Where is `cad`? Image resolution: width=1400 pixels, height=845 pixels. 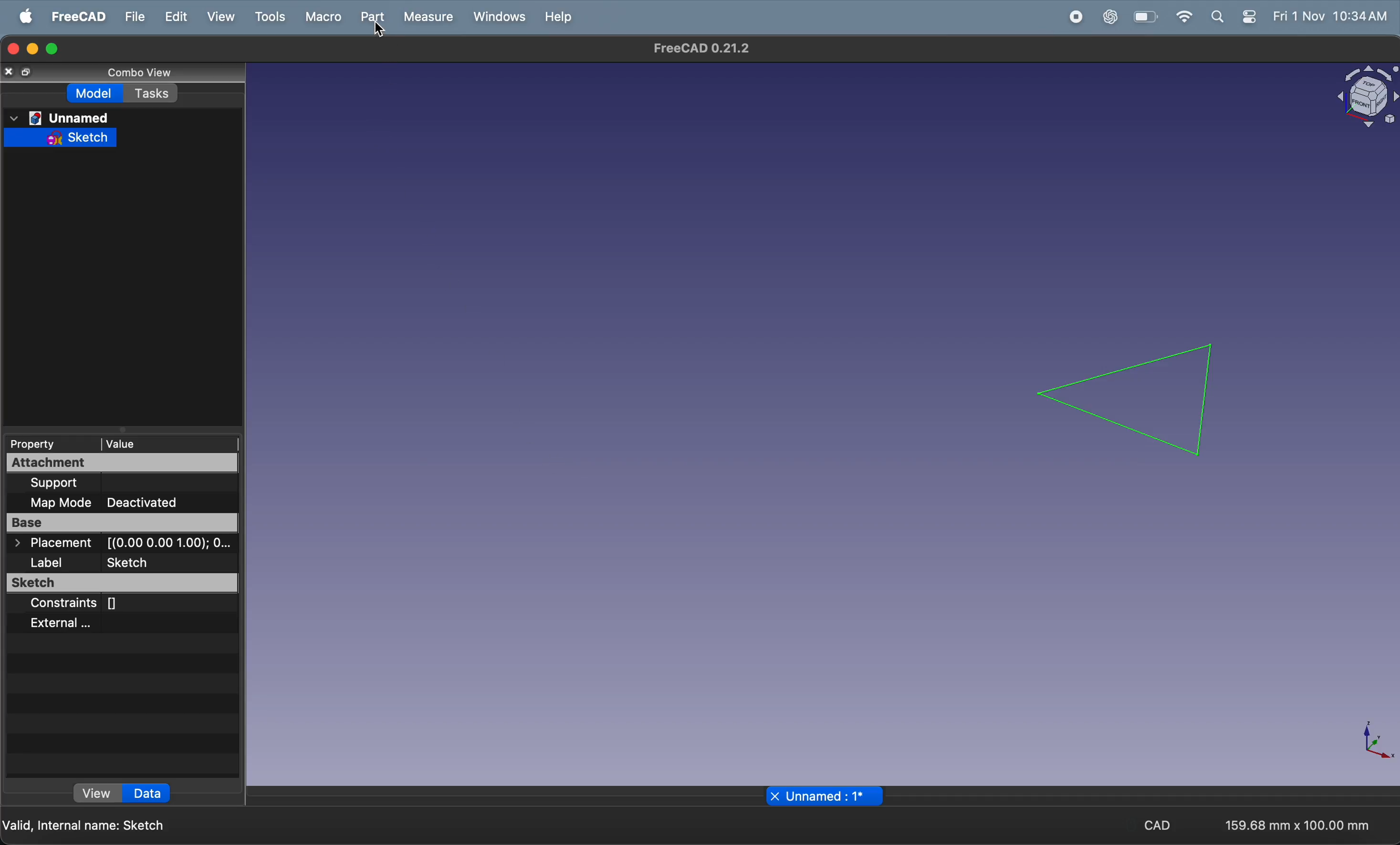
cad is located at coordinates (1162, 826).